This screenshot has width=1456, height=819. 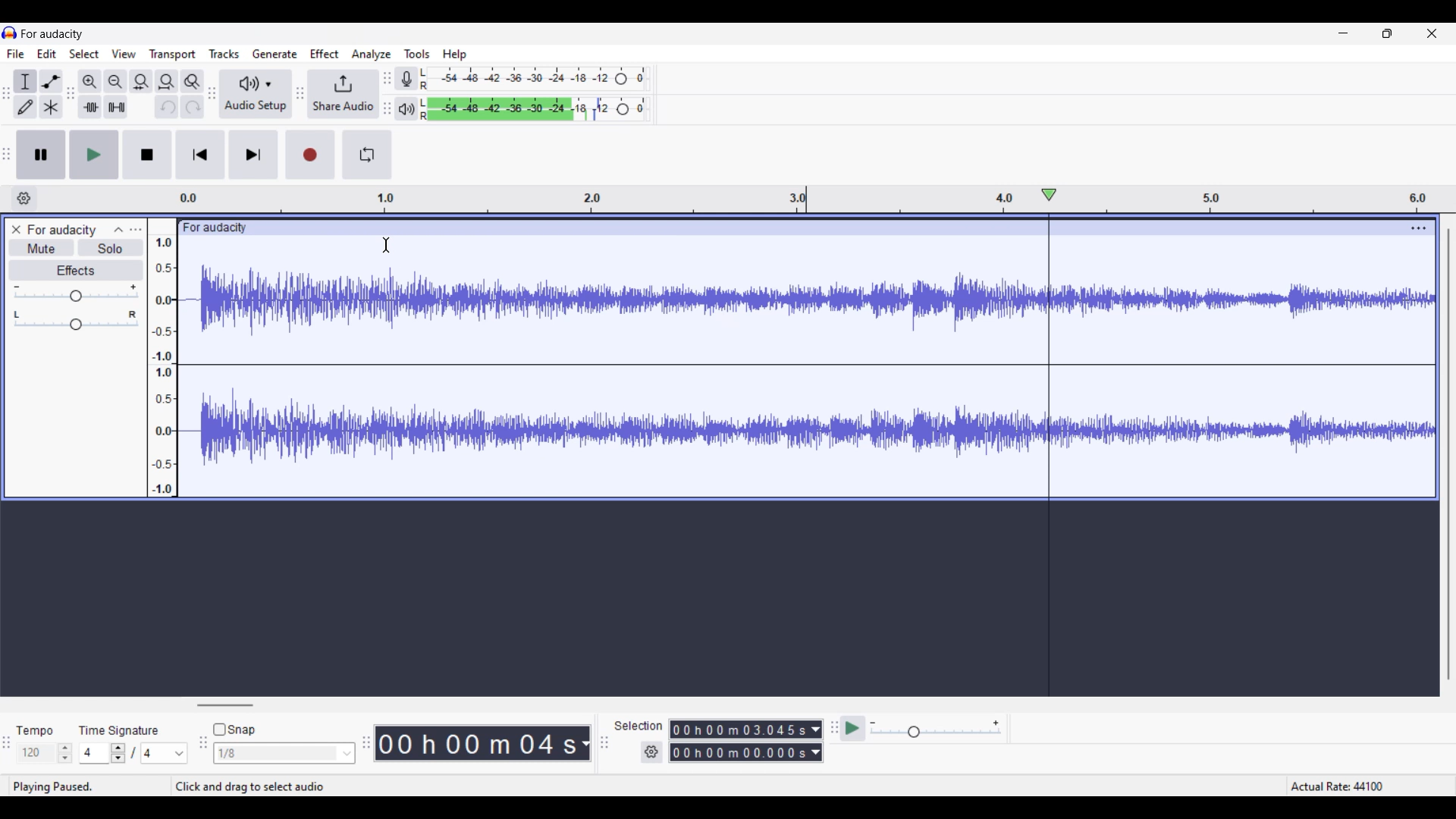 What do you see at coordinates (1344, 33) in the screenshot?
I see `Minimize` at bounding box center [1344, 33].